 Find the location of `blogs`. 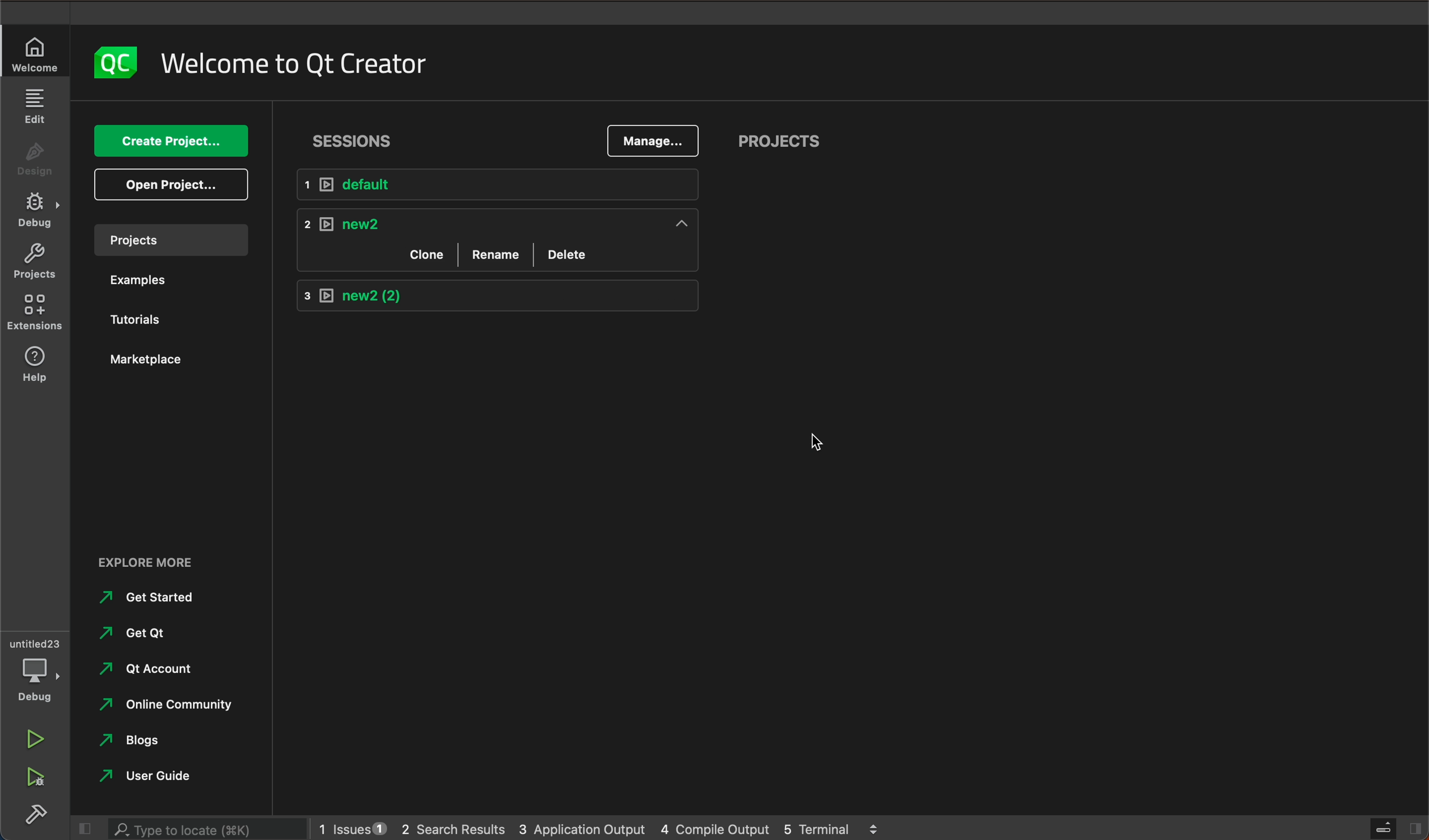

blogs is located at coordinates (137, 740).